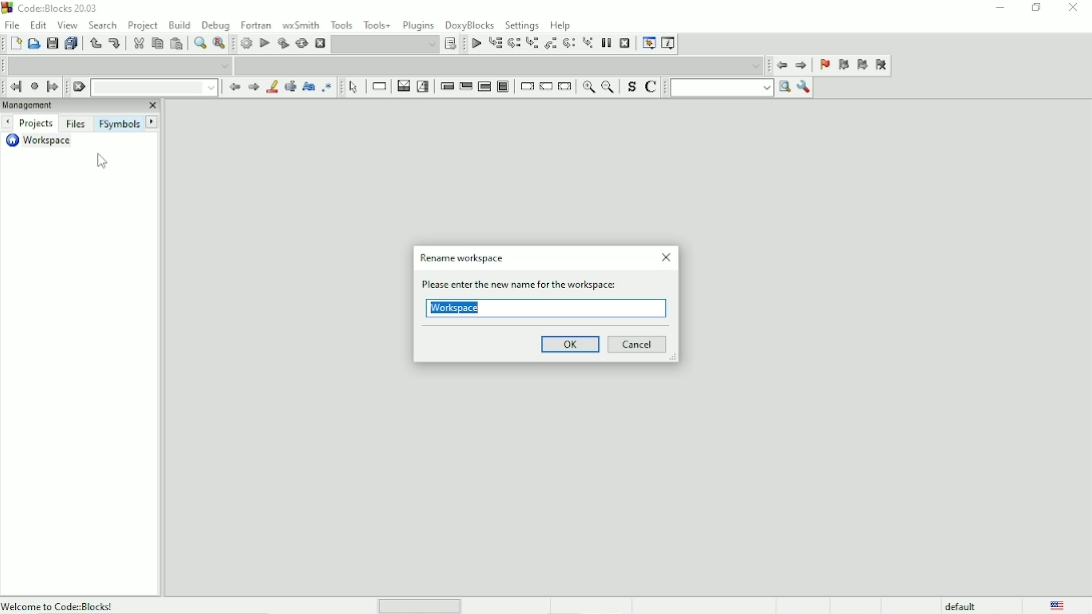 This screenshot has width=1092, height=614. What do you see at coordinates (514, 44) in the screenshot?
I see `Next line` at bounding box center [514, 44].